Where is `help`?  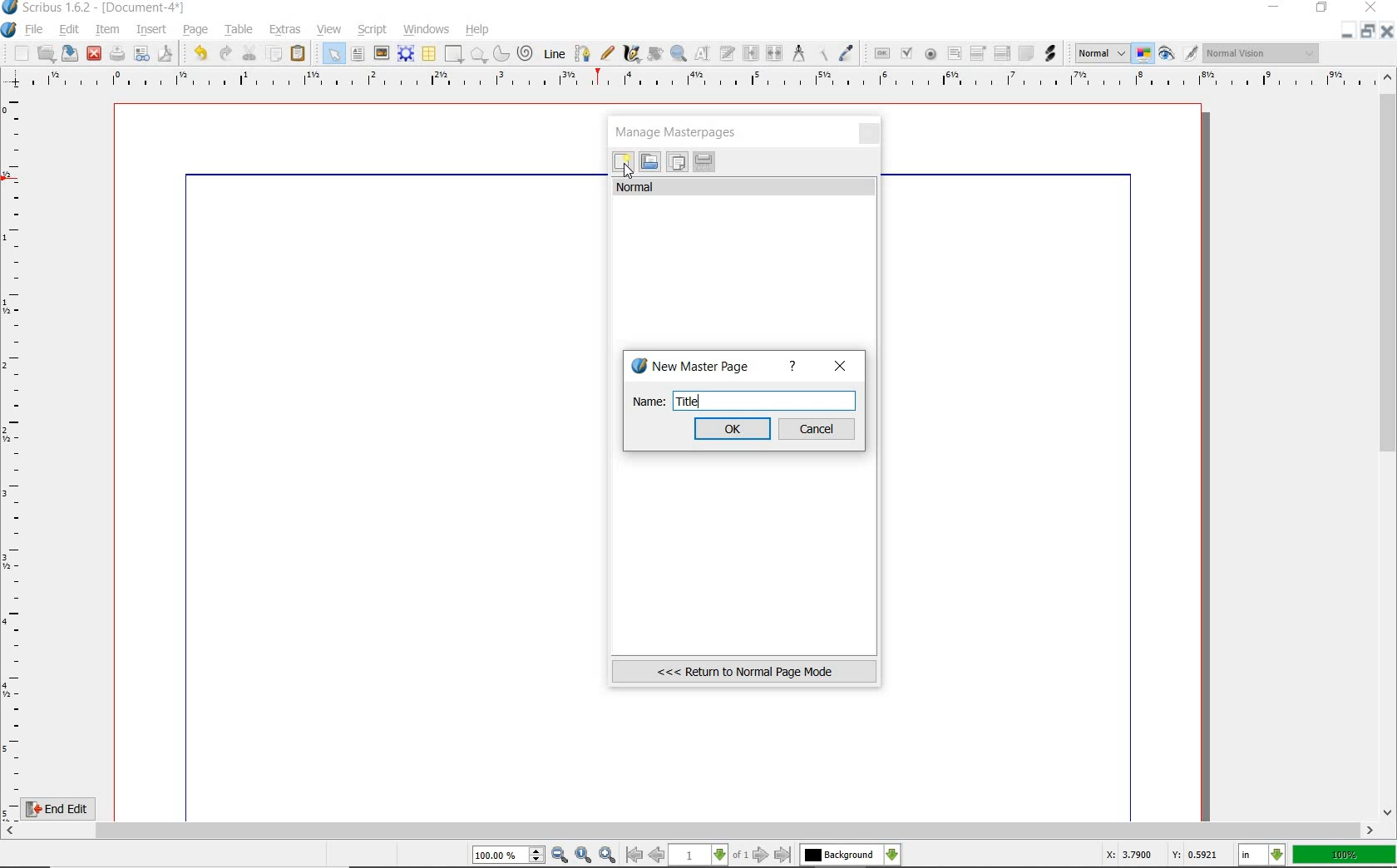 help is located at coordinates (792, 367).